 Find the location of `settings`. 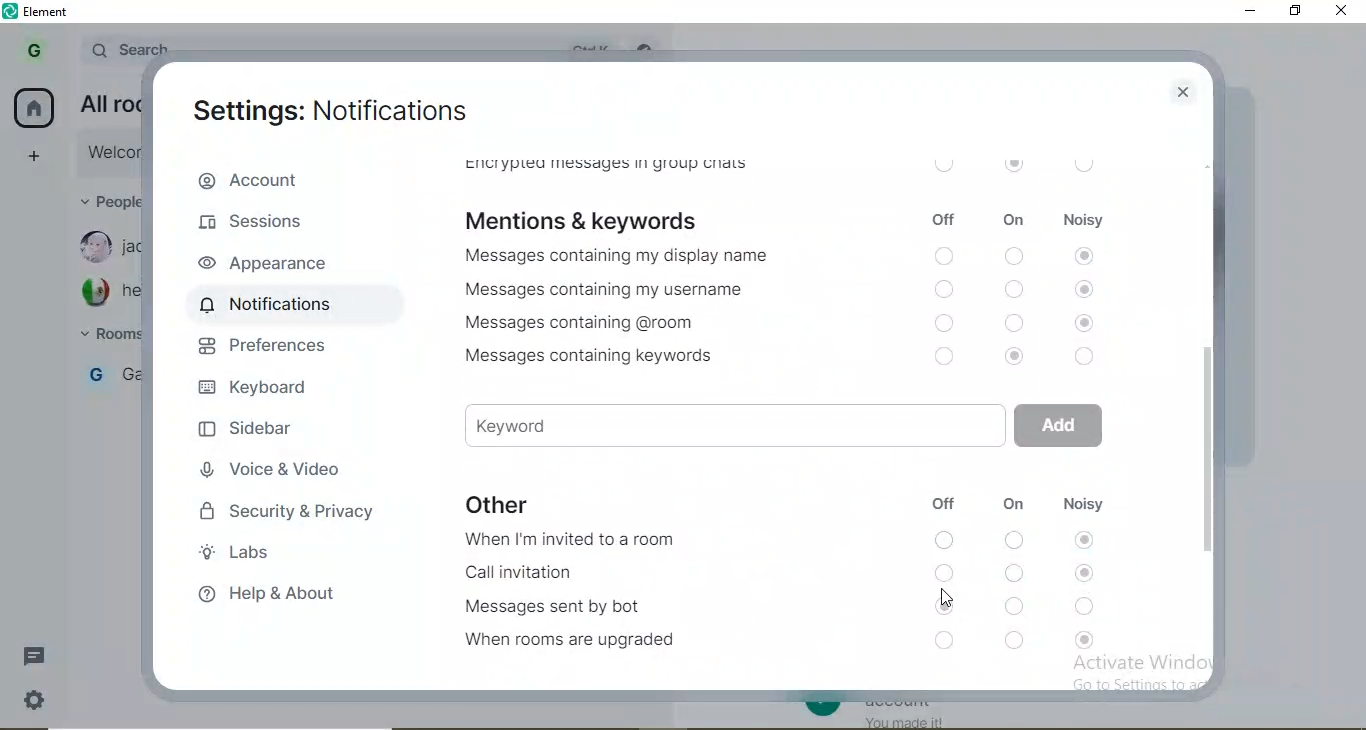

settings is located at coordinates (37, 704).